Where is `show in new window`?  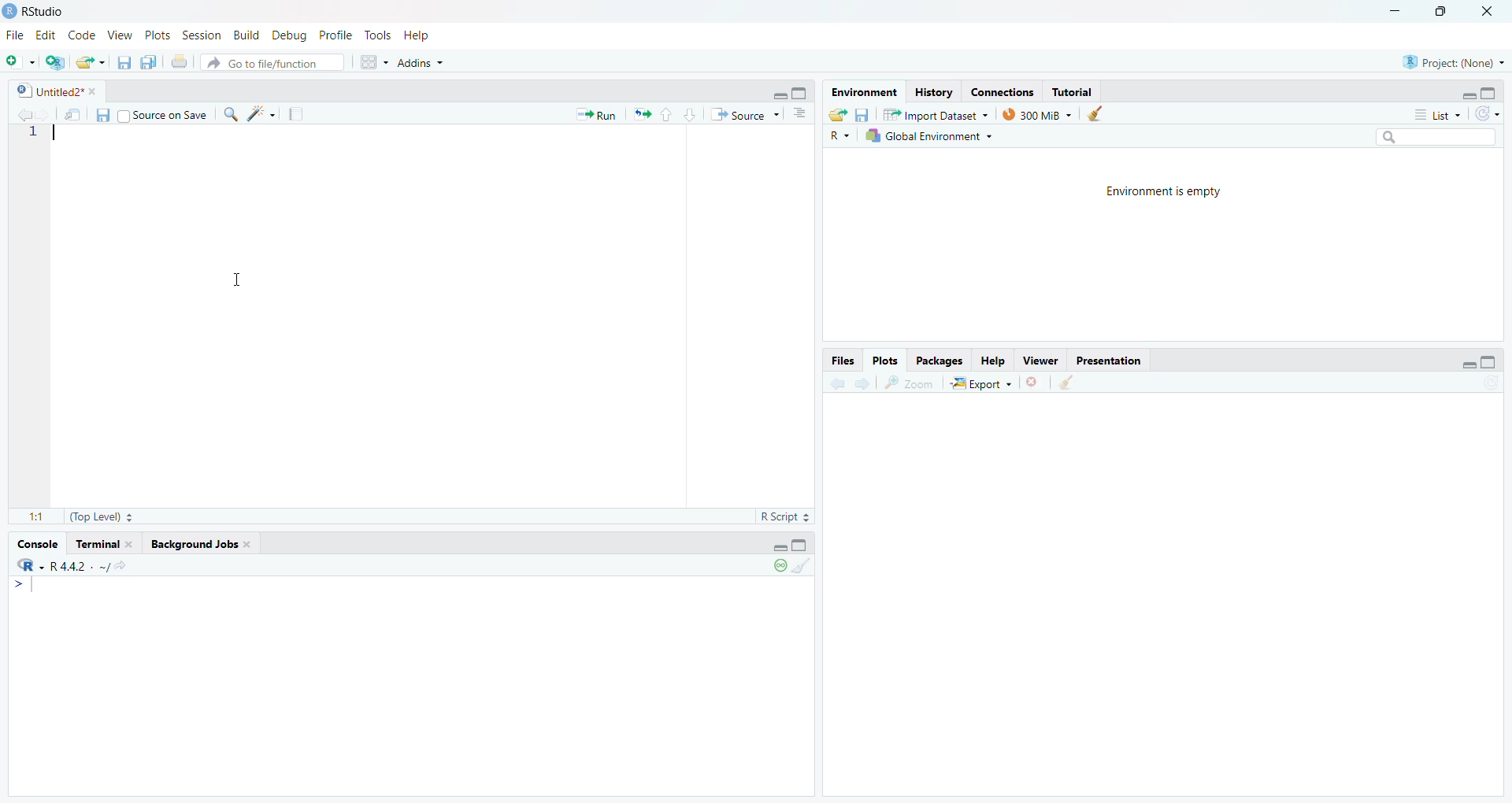 show in new window is located at coordinates (72, 116).